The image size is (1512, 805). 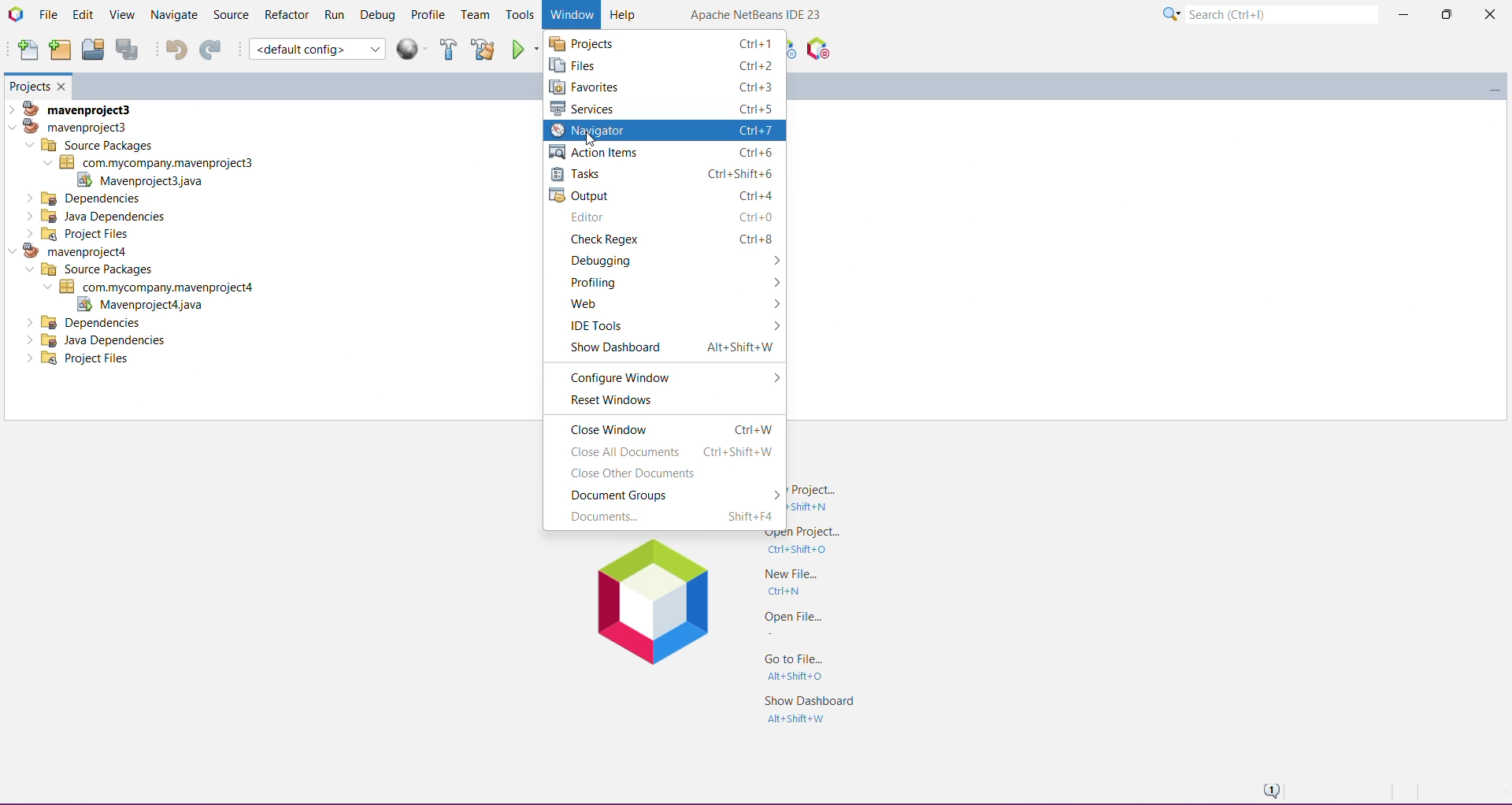 What do you see at coordinates (476, 15) in the screenshot?
I see `Teams` at bounding box center [476, 15].